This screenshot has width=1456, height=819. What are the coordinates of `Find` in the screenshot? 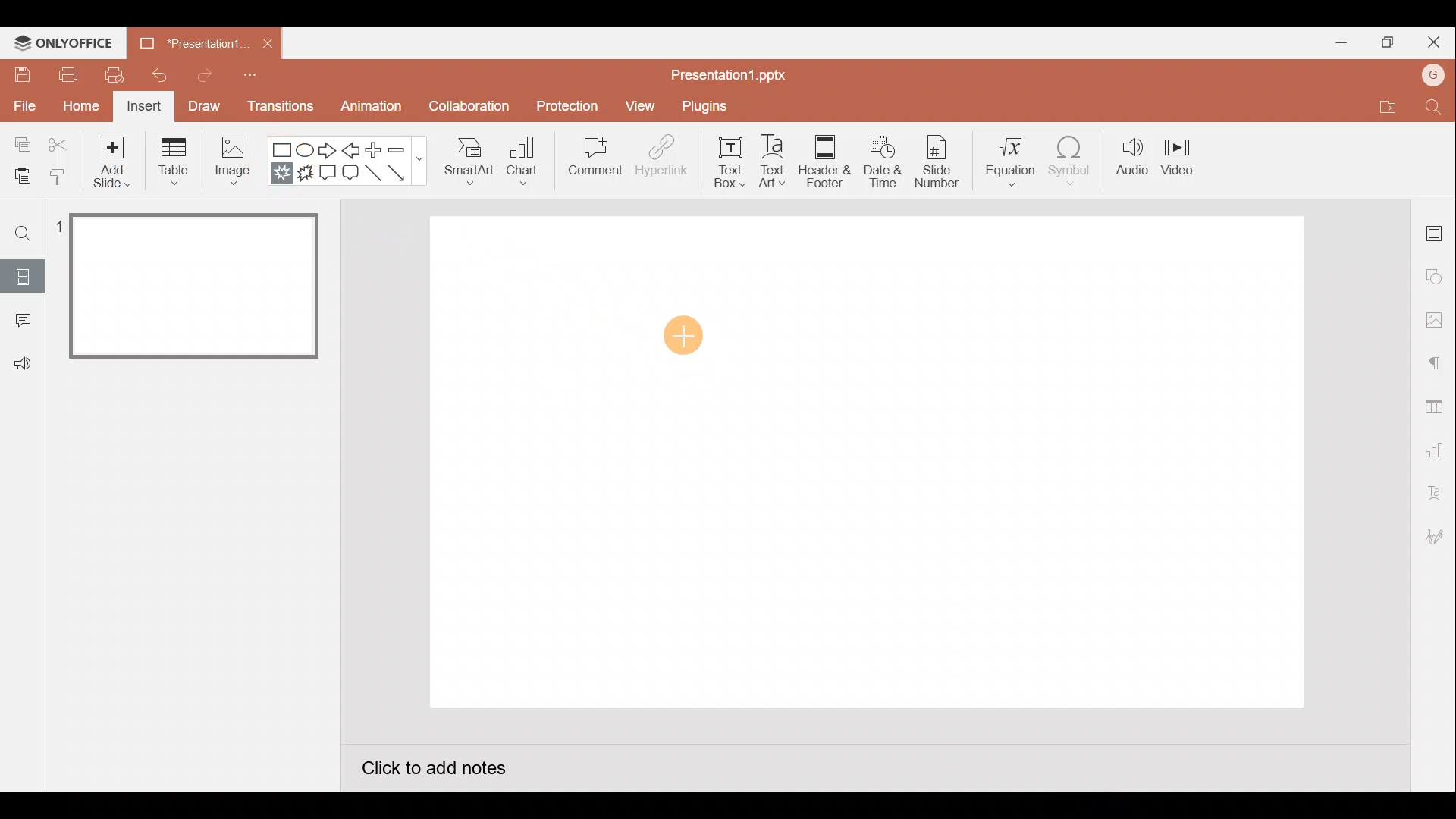 It's located at (1438, 108).